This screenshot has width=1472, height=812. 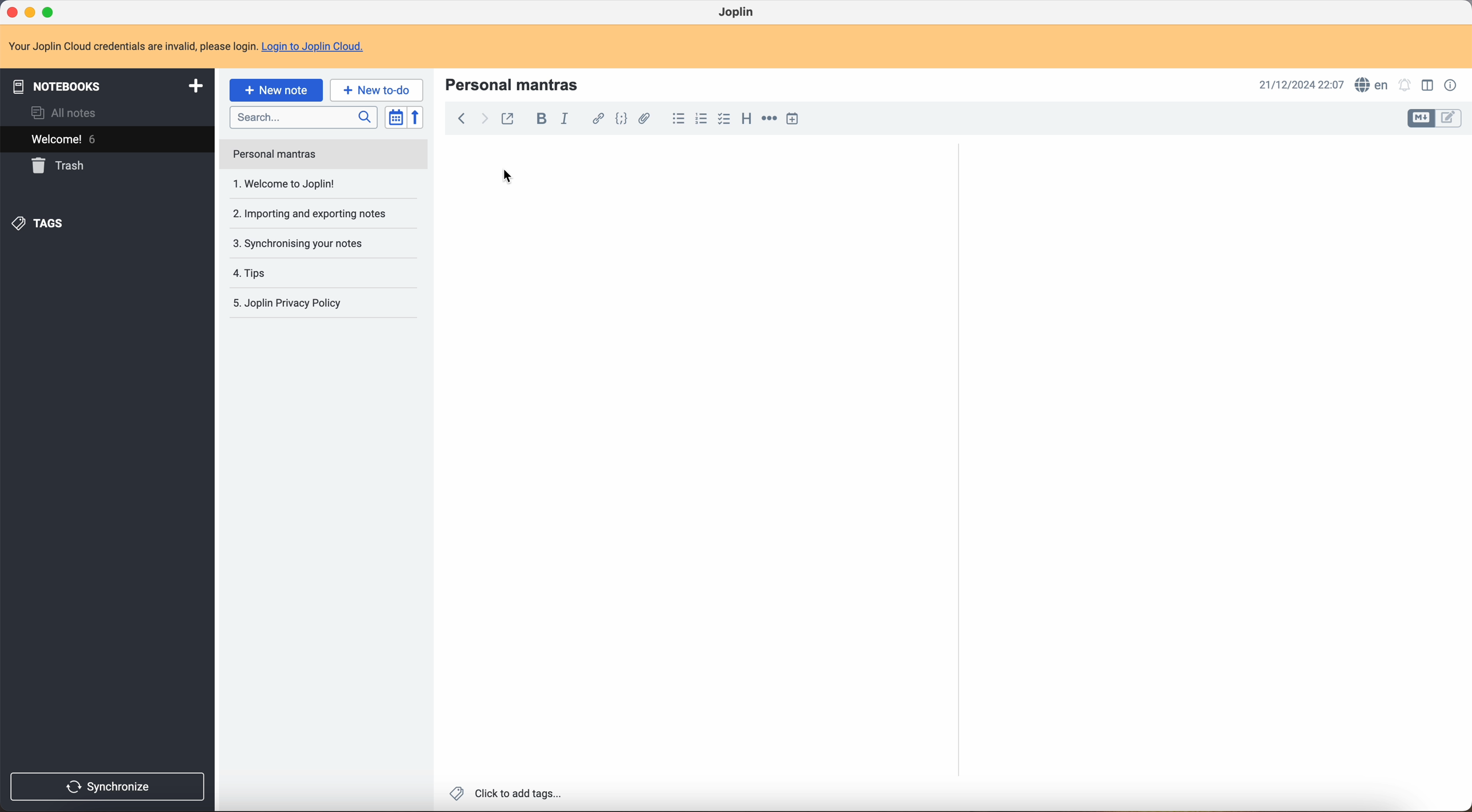 I want to click on tags, so click(x=41, y=225).